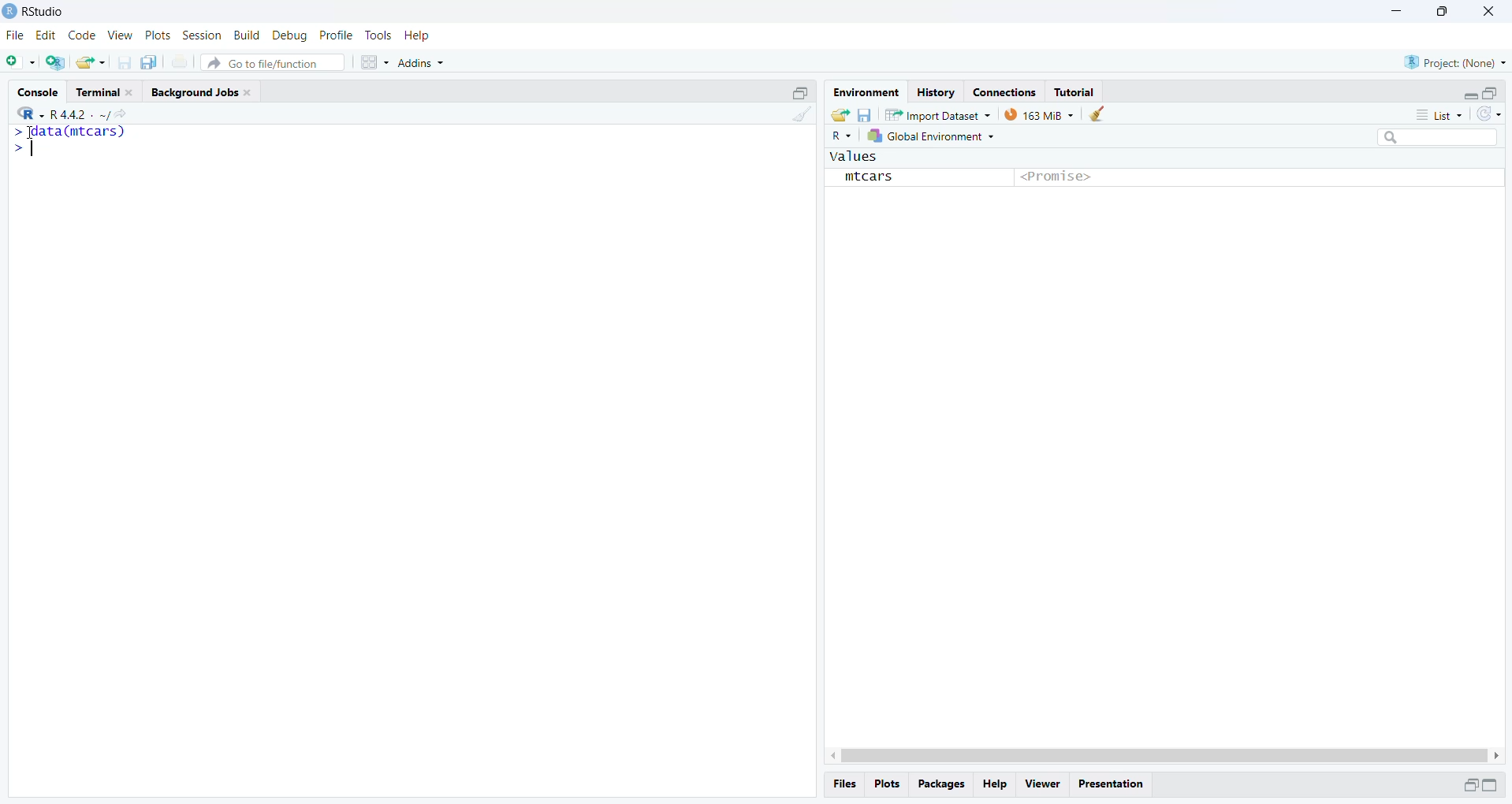  I want to click on Go to file/function, so click(271, 63).